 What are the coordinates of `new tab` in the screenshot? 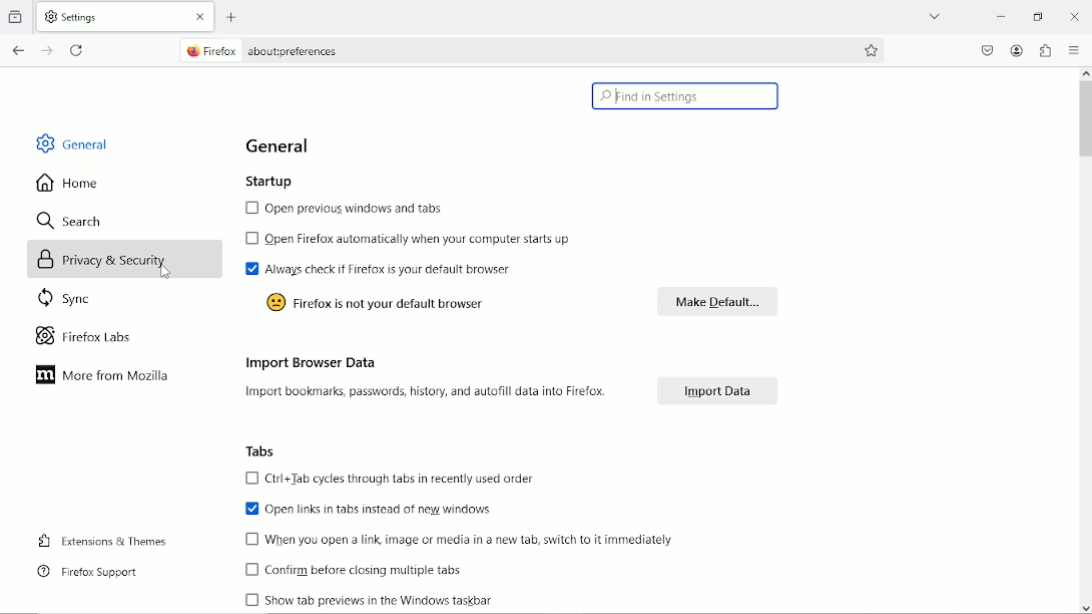 It's located at (233, 18).